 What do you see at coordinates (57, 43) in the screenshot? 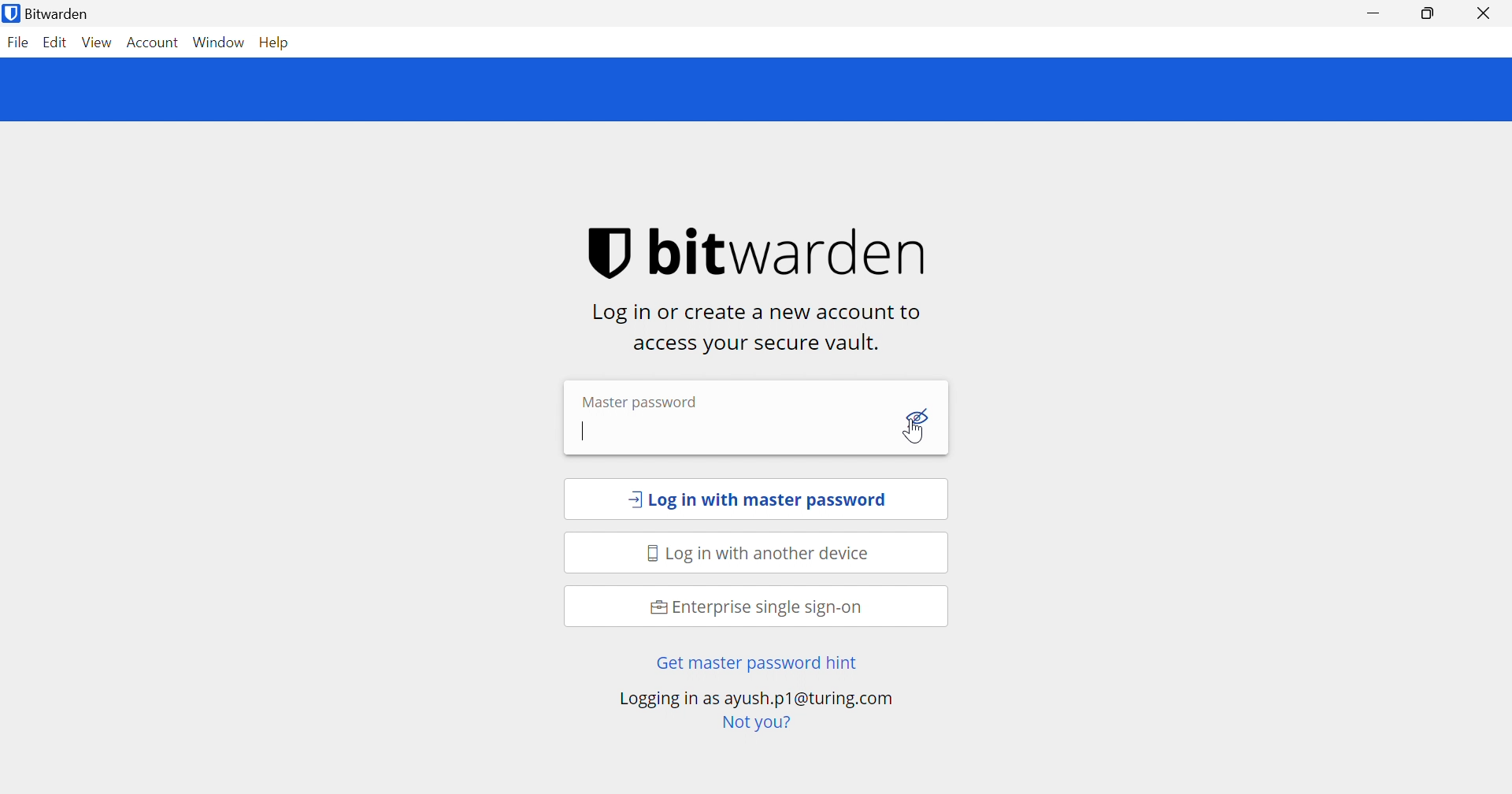
I see `Edit` at bounding box center [57, 43].